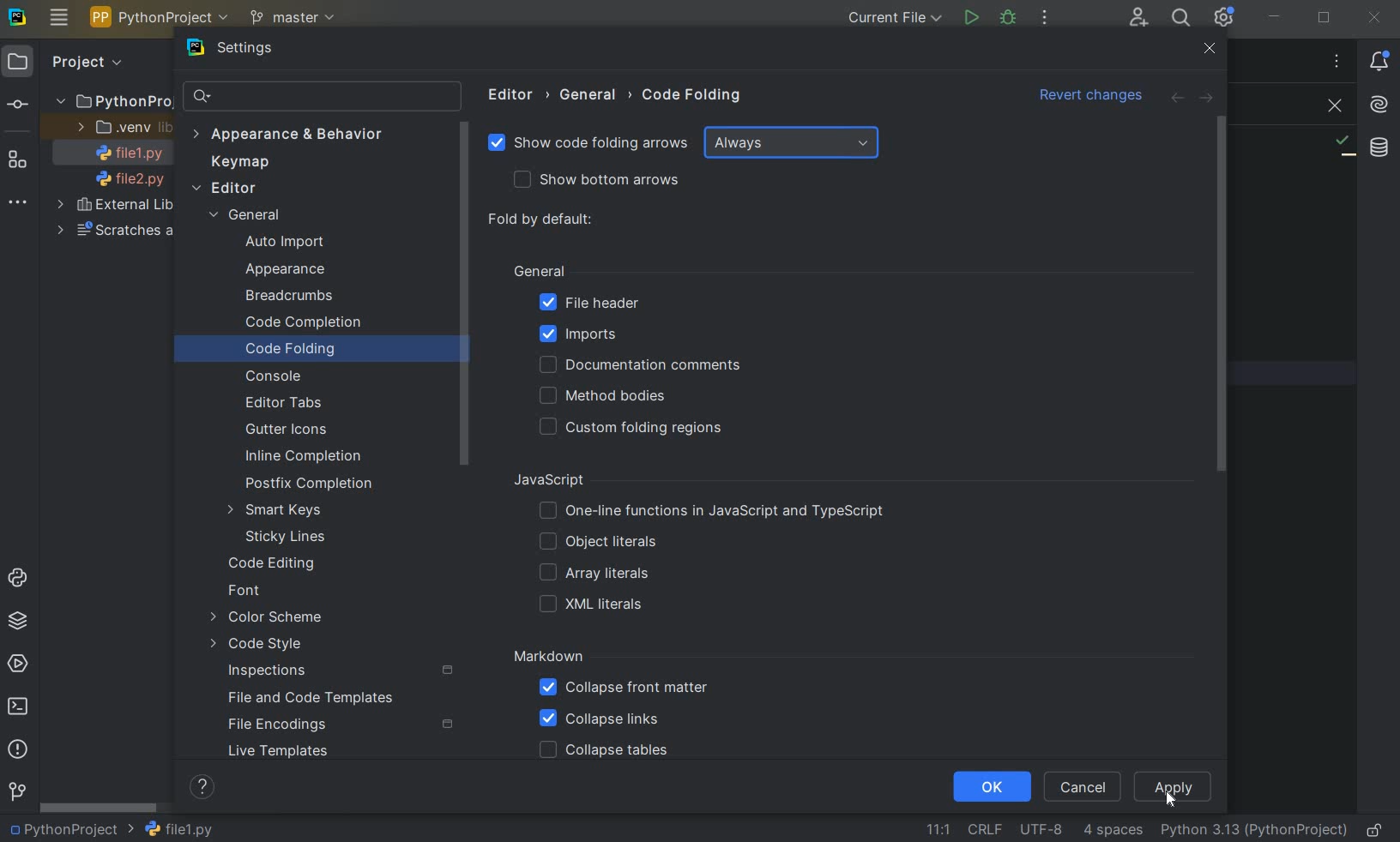 The height and width of the screenshot is (842, 1400). Describe the element at coordinates (245, 162) in the screenshot. I see `KEYMAP` at that location.